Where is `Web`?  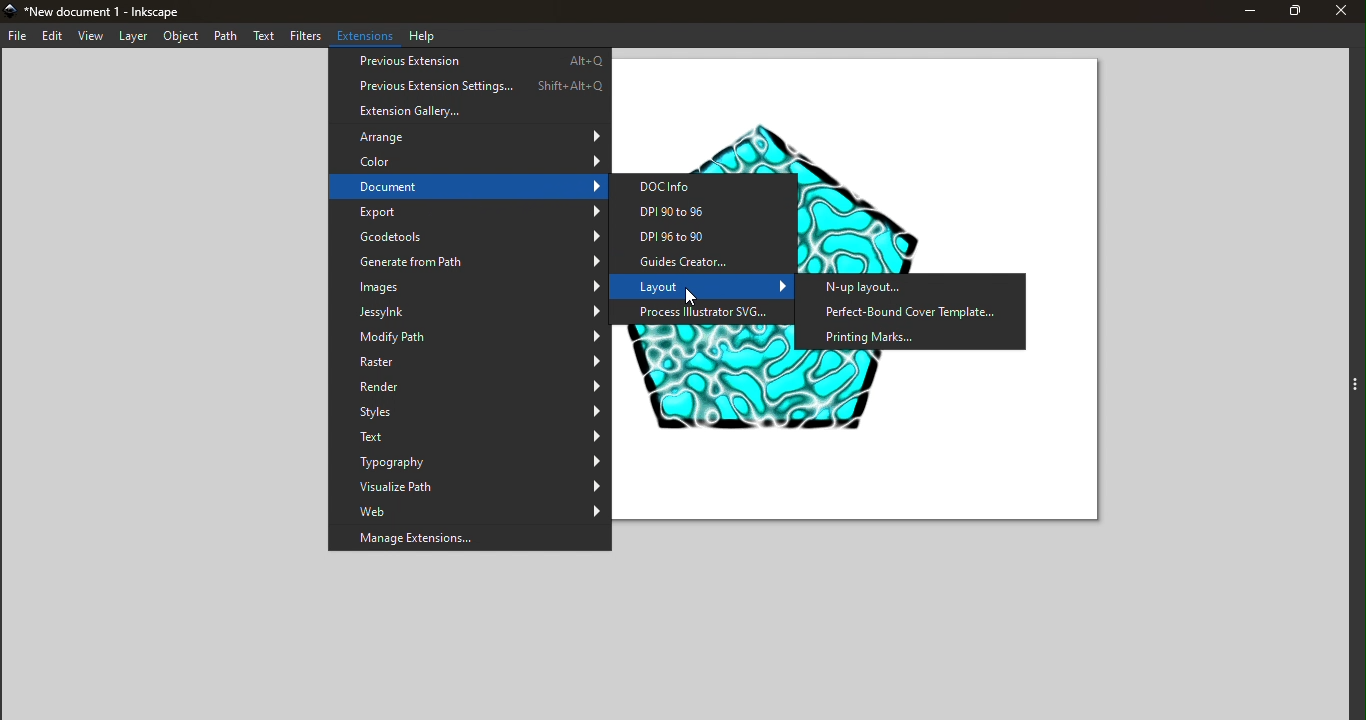 Web is located at coordinates (469, 511).